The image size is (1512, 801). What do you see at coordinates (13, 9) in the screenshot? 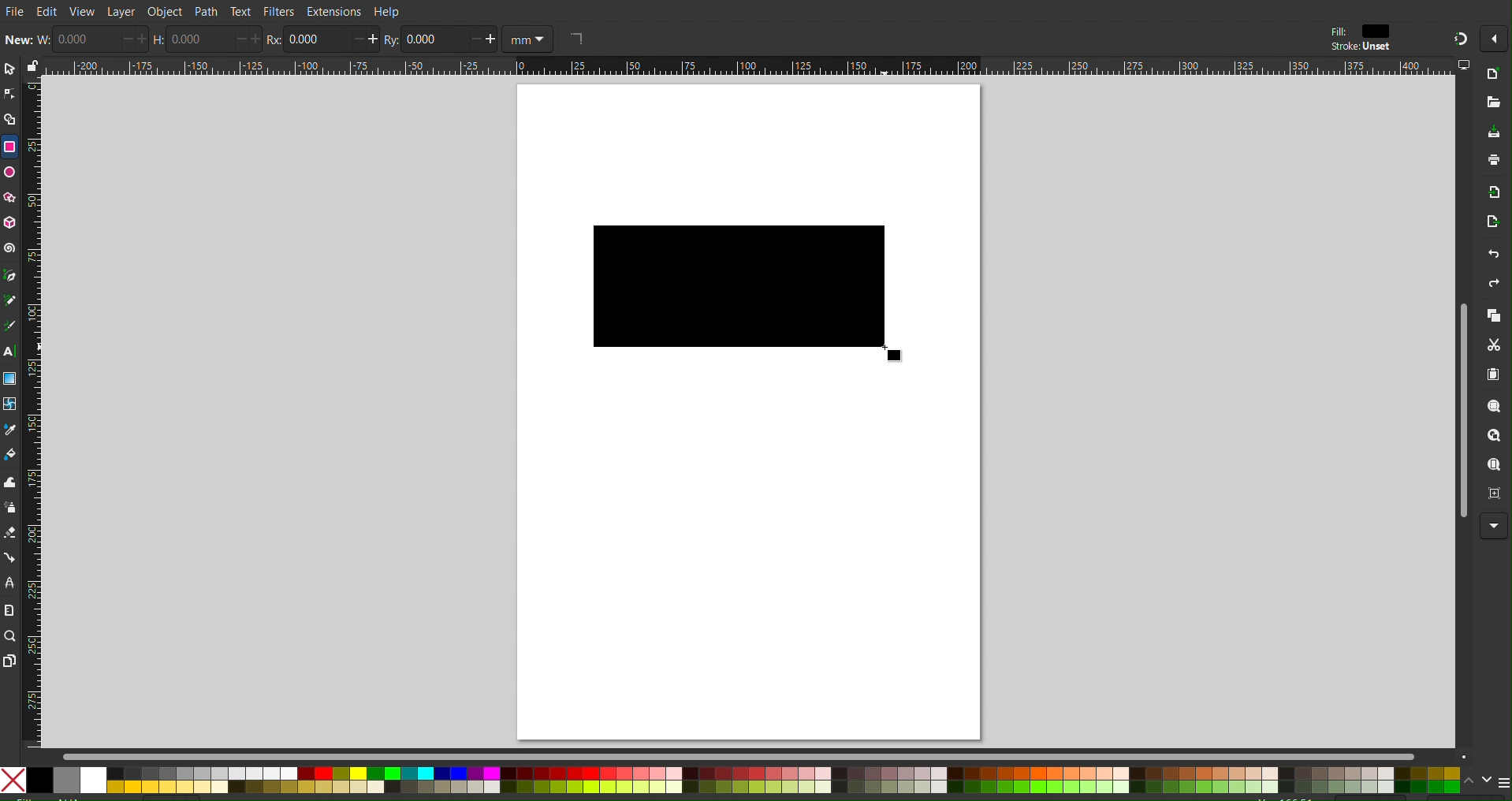
I see `File` at bounding box center [13, 9].